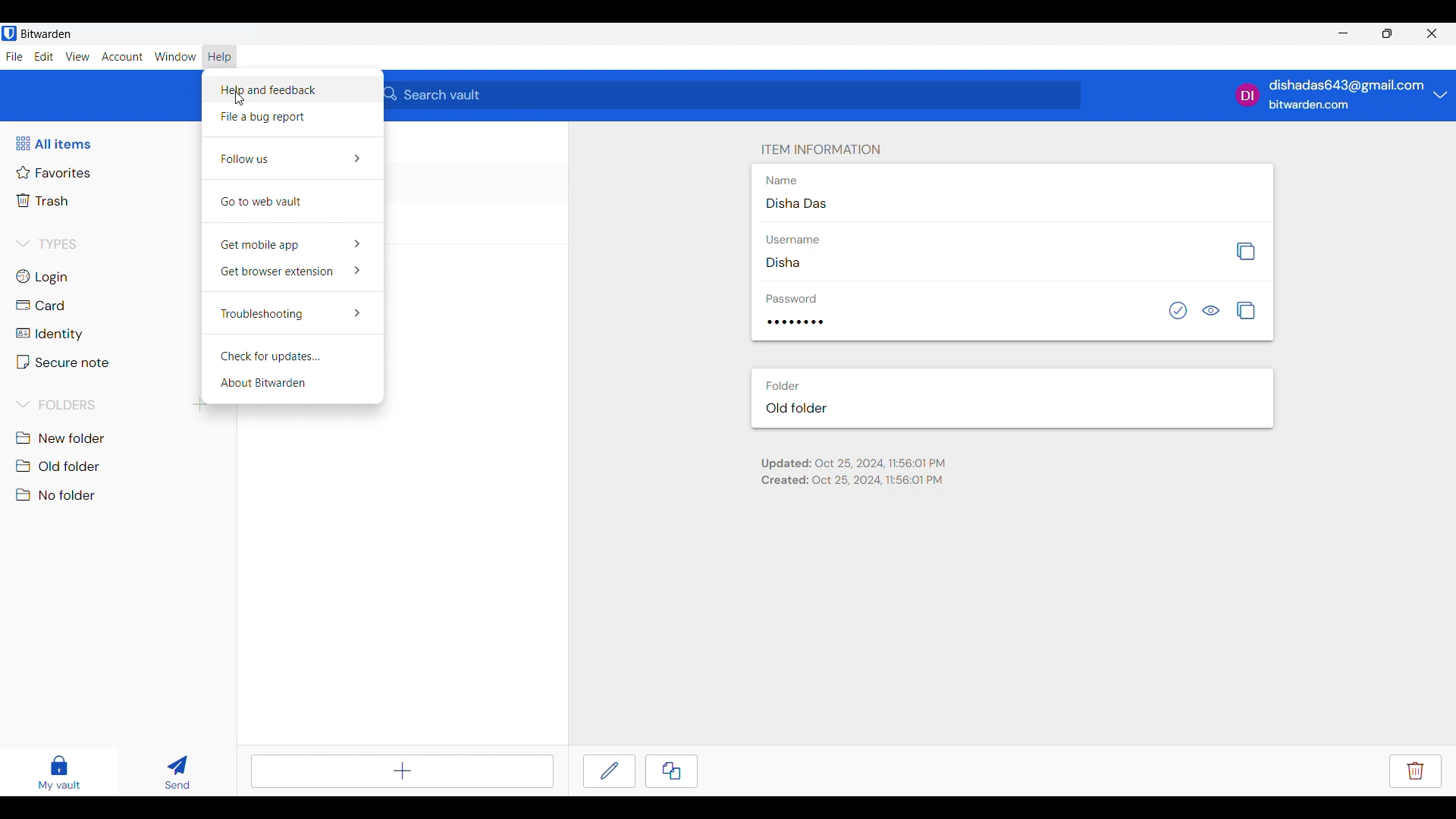 The image size is (1456, 819). Describe the element at coordinates (53, 143) in the screenshot. I see `All items, current selection highlighted` at that location.